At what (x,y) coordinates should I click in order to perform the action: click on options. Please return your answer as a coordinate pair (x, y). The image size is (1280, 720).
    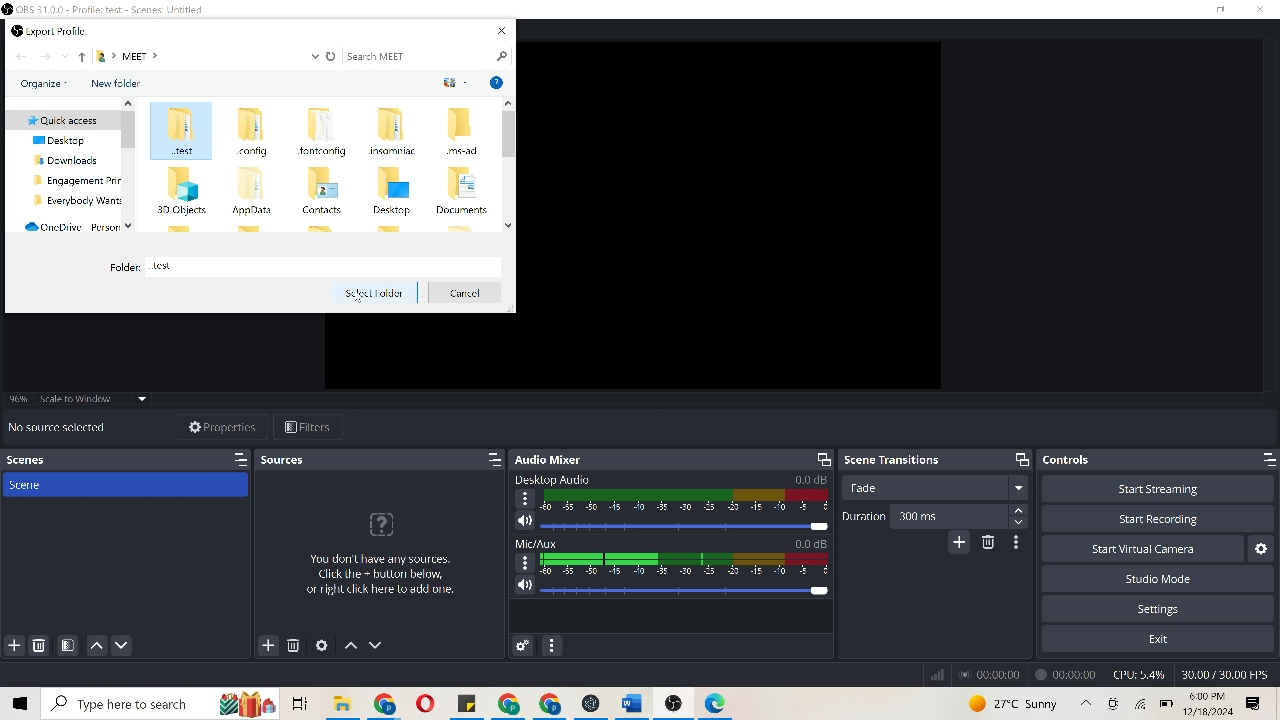
    Looking at the image, I should click on (525, 562).